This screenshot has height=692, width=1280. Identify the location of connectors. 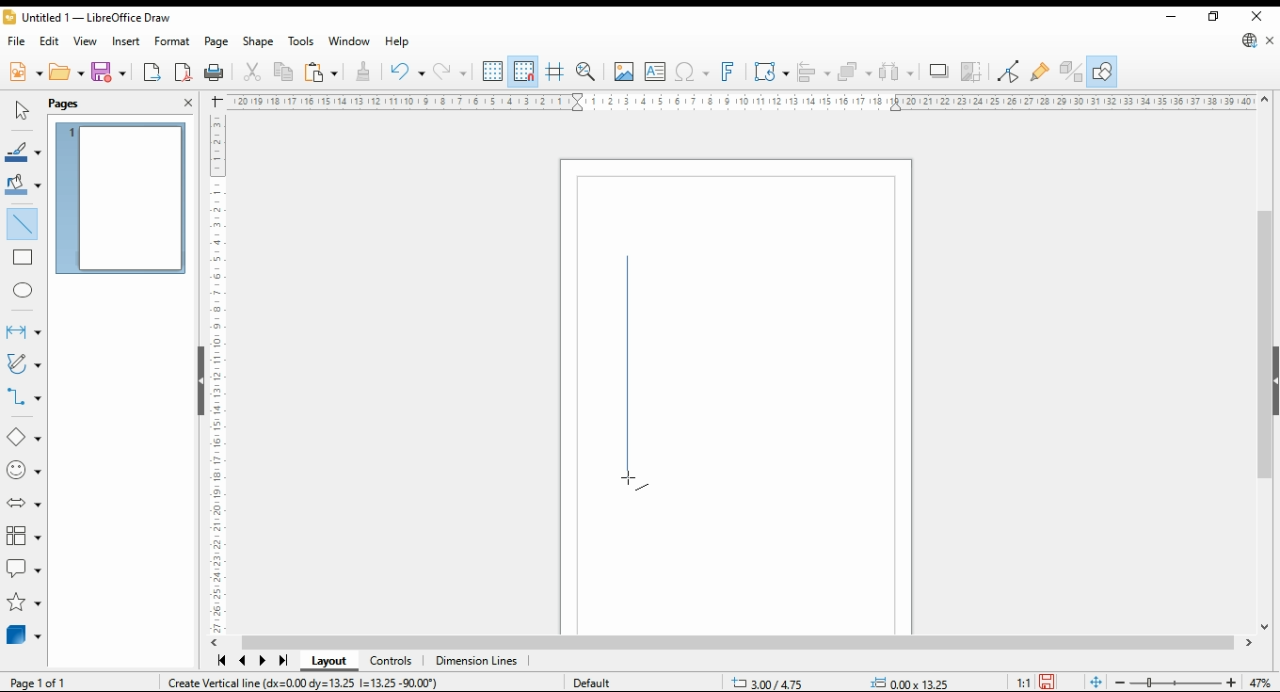
(24, 397).